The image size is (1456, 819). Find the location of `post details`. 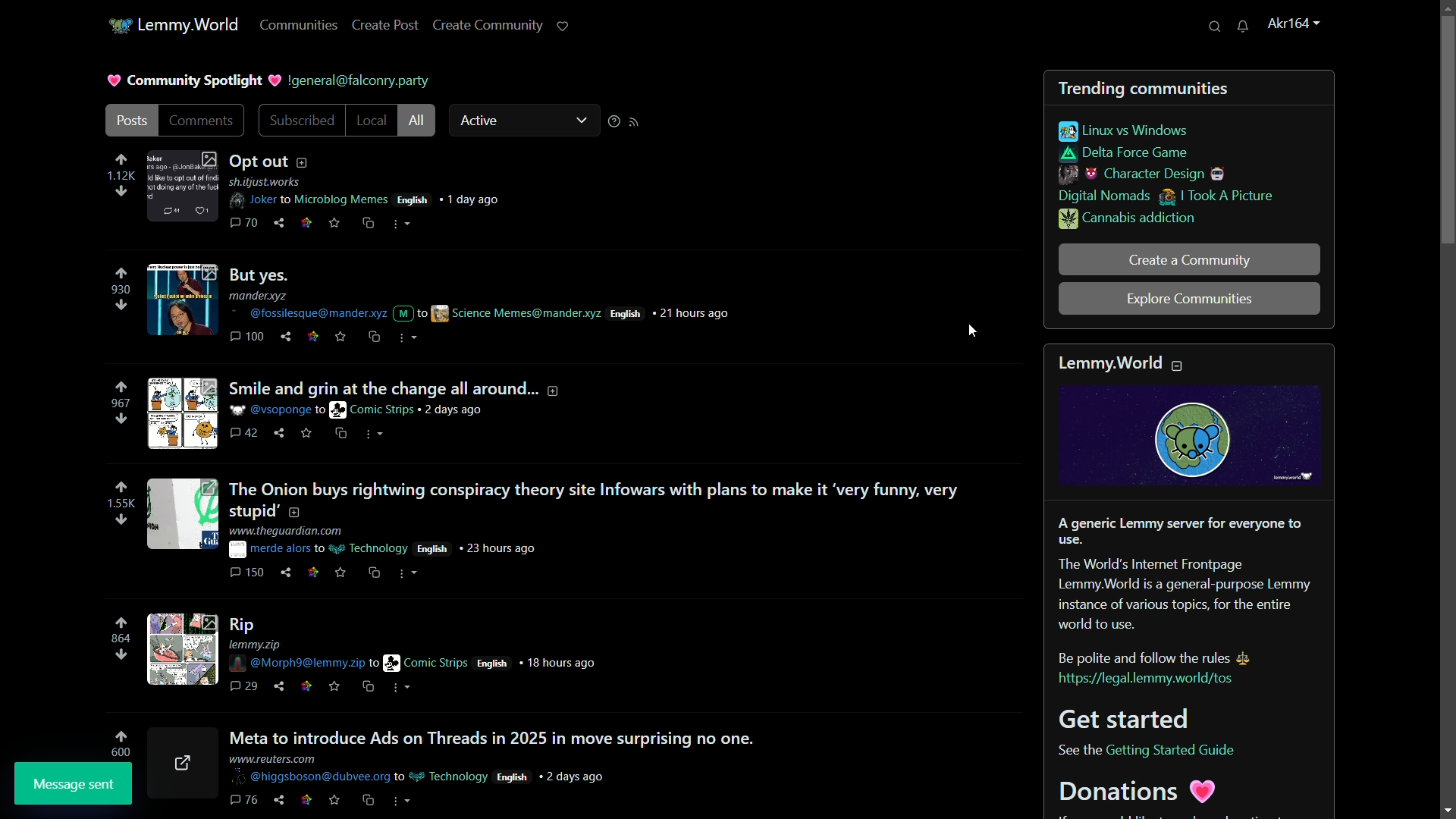

post details is located at coordinates (425, 654).